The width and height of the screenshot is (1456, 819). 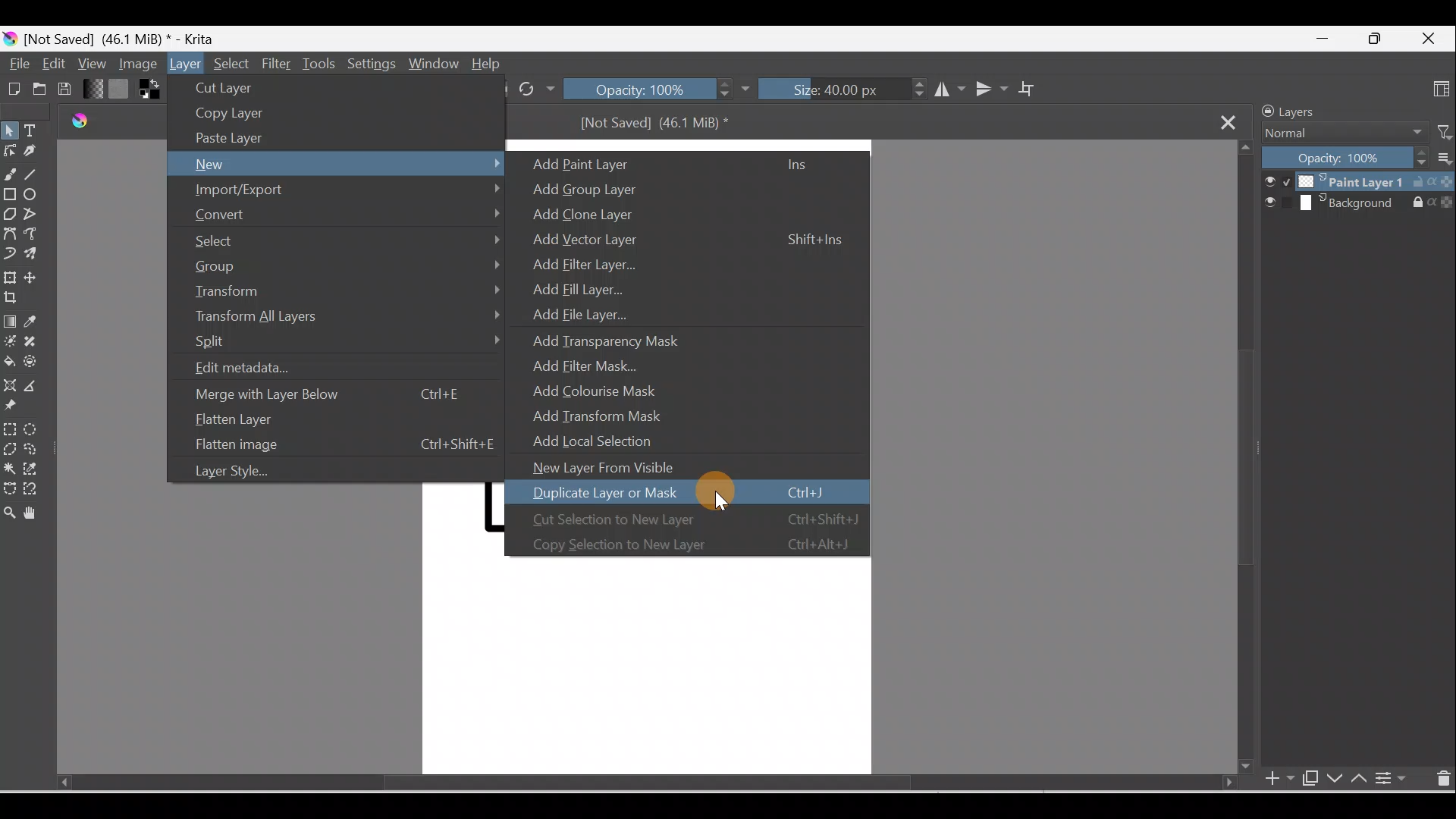 What do you see at coordinates (38, 278) in the screenshot?
I see `Move a layer` at bounding box center [38, 278].